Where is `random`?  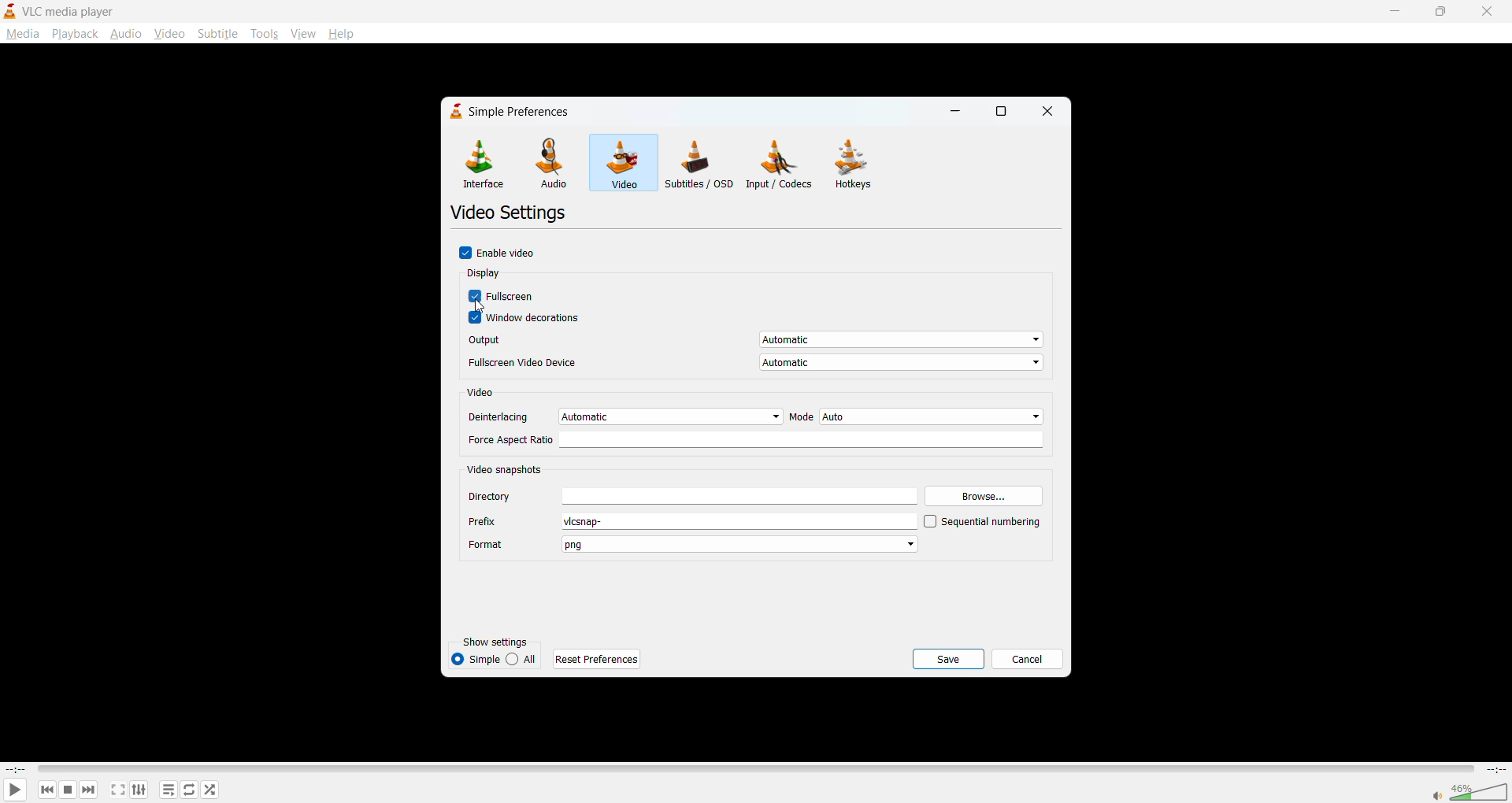
random is located at coordinates (208, 788).